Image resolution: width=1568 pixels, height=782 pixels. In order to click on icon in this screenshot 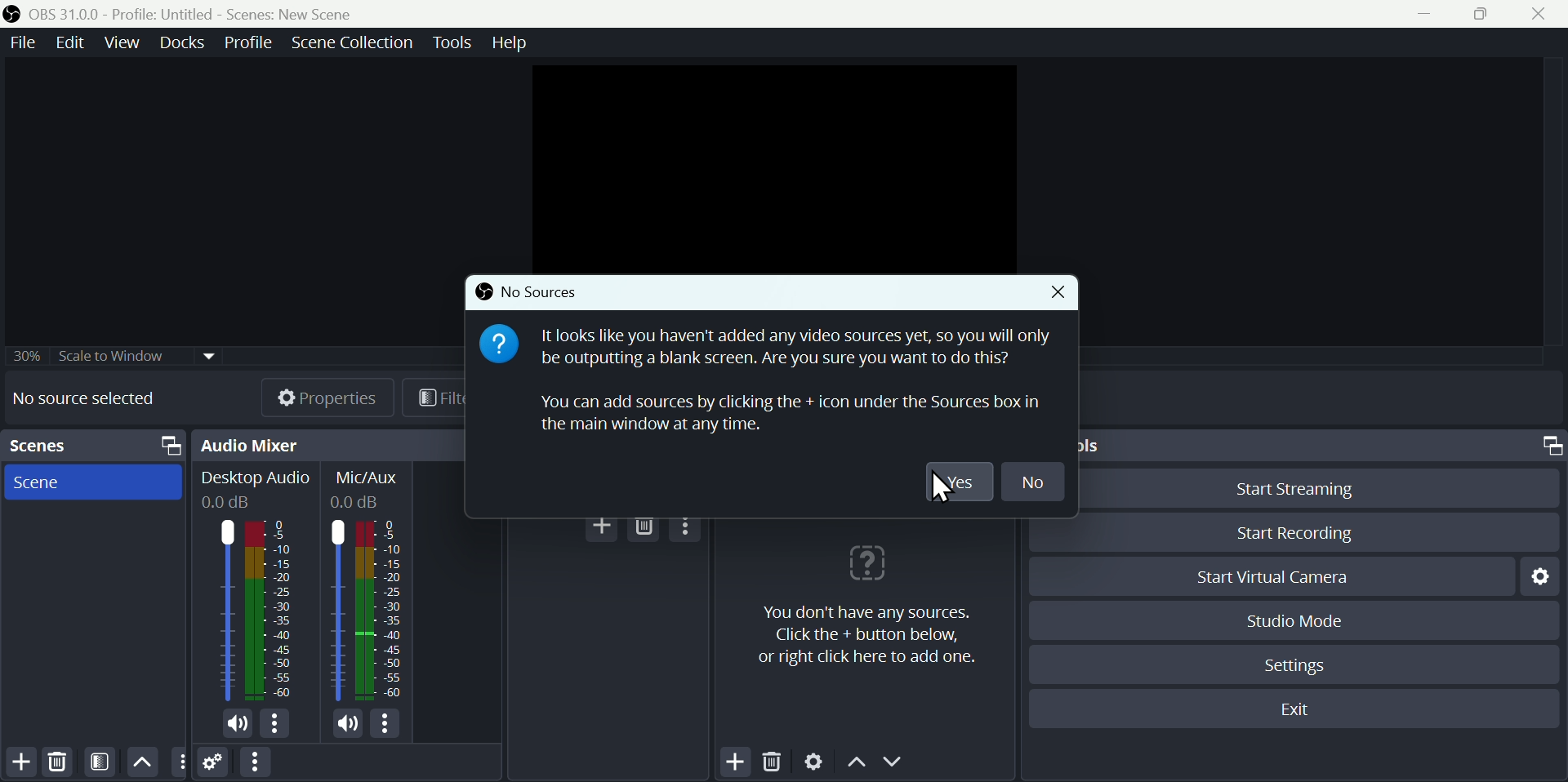, I will do `click(498, 345)`.